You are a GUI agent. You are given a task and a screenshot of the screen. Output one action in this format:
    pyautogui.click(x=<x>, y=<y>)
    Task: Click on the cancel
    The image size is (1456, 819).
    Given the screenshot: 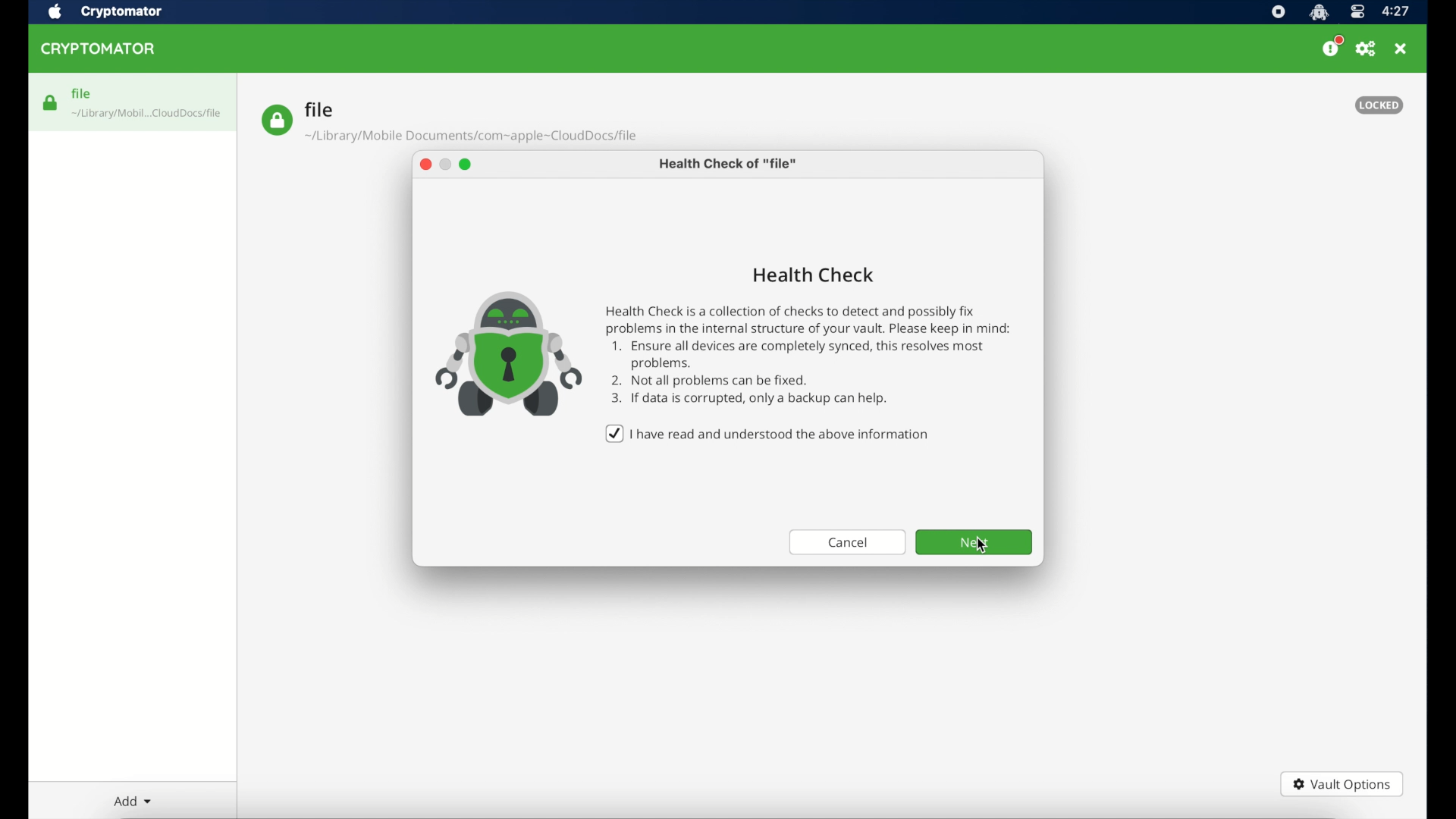 What is the action you would take?
    pyautogui.click(x=845, y=541)
    